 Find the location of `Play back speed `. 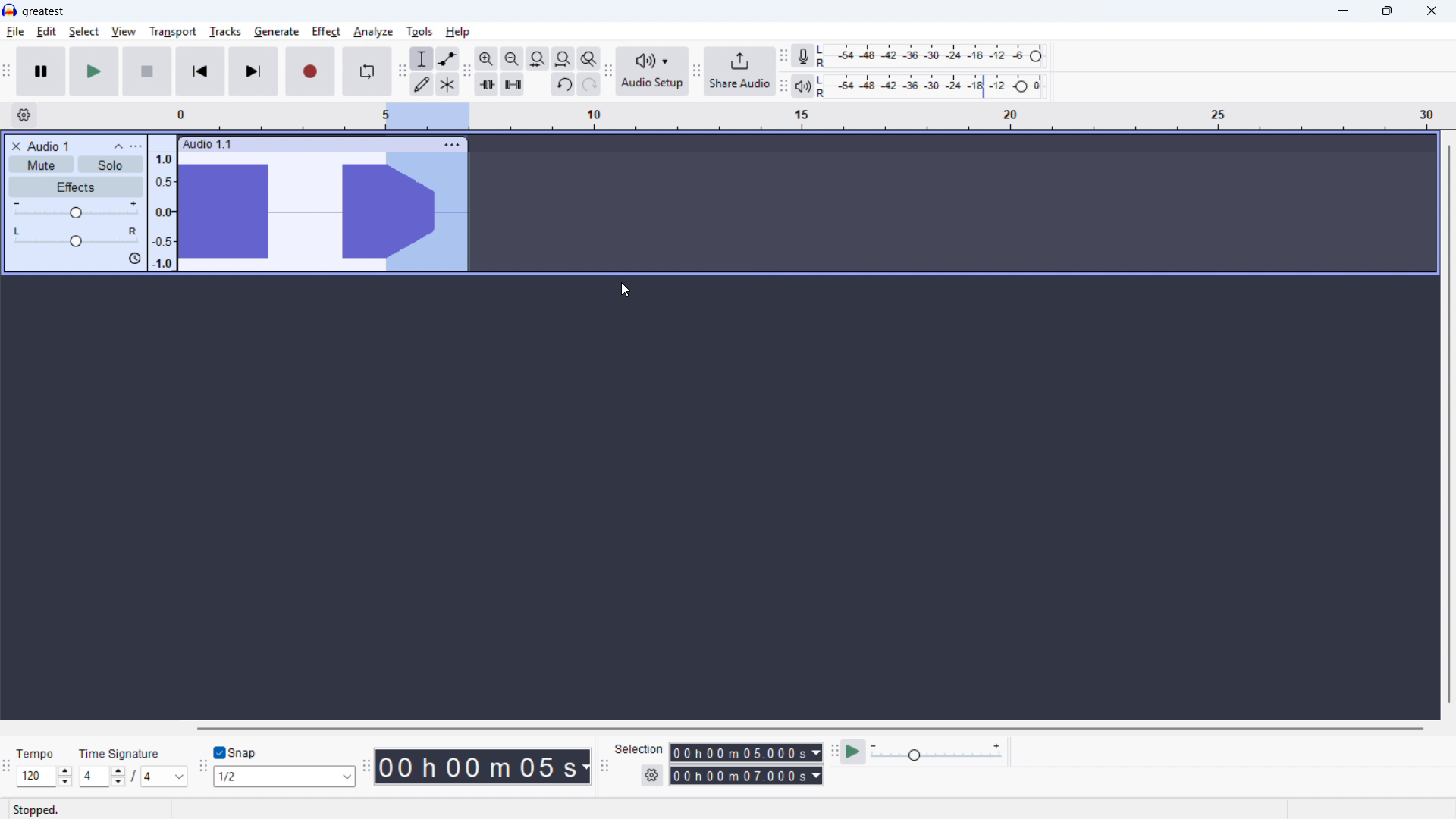

Play back speed  is located at coordinates (939, 752).